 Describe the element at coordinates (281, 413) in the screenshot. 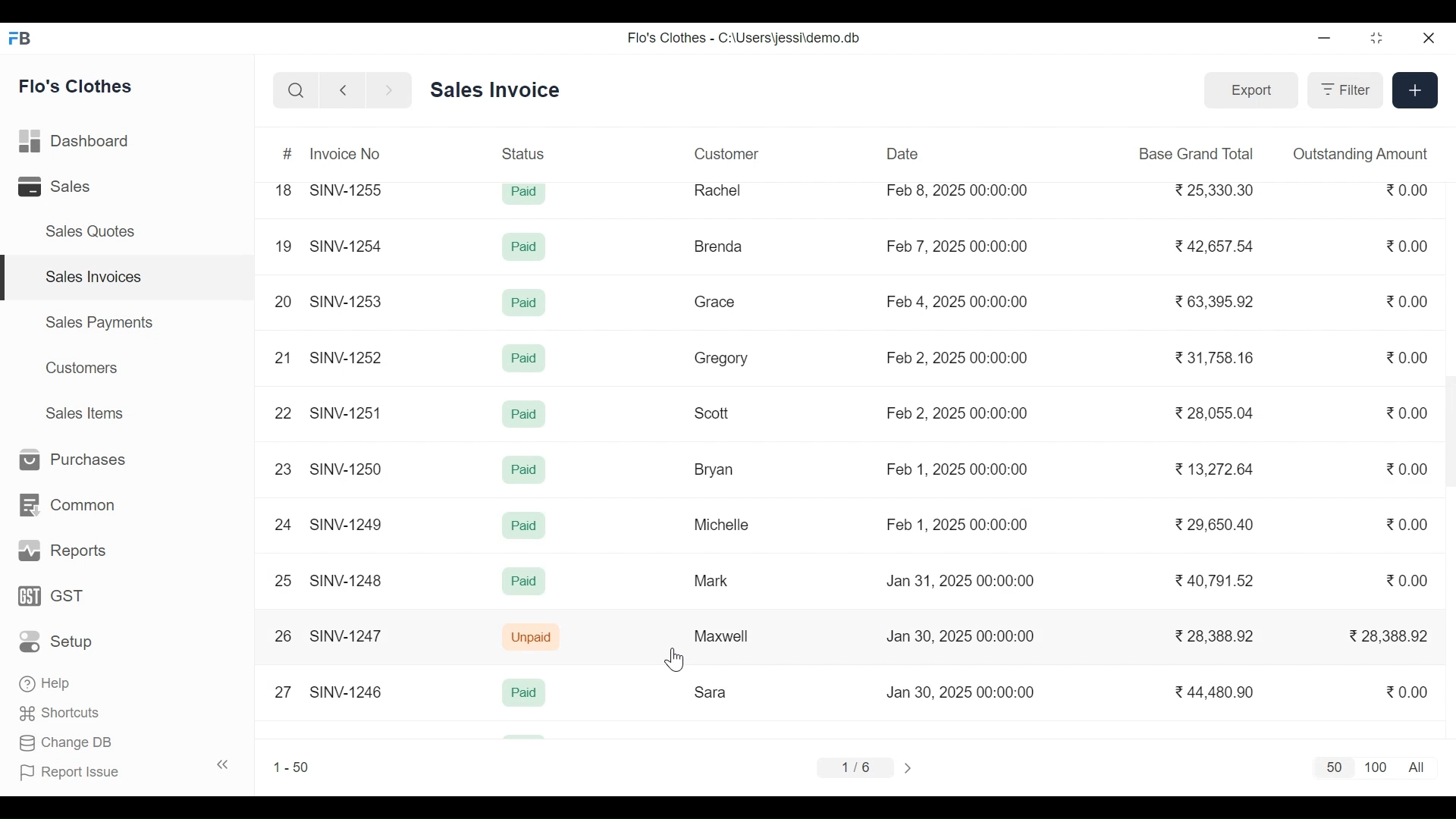

I see `22` at that location.